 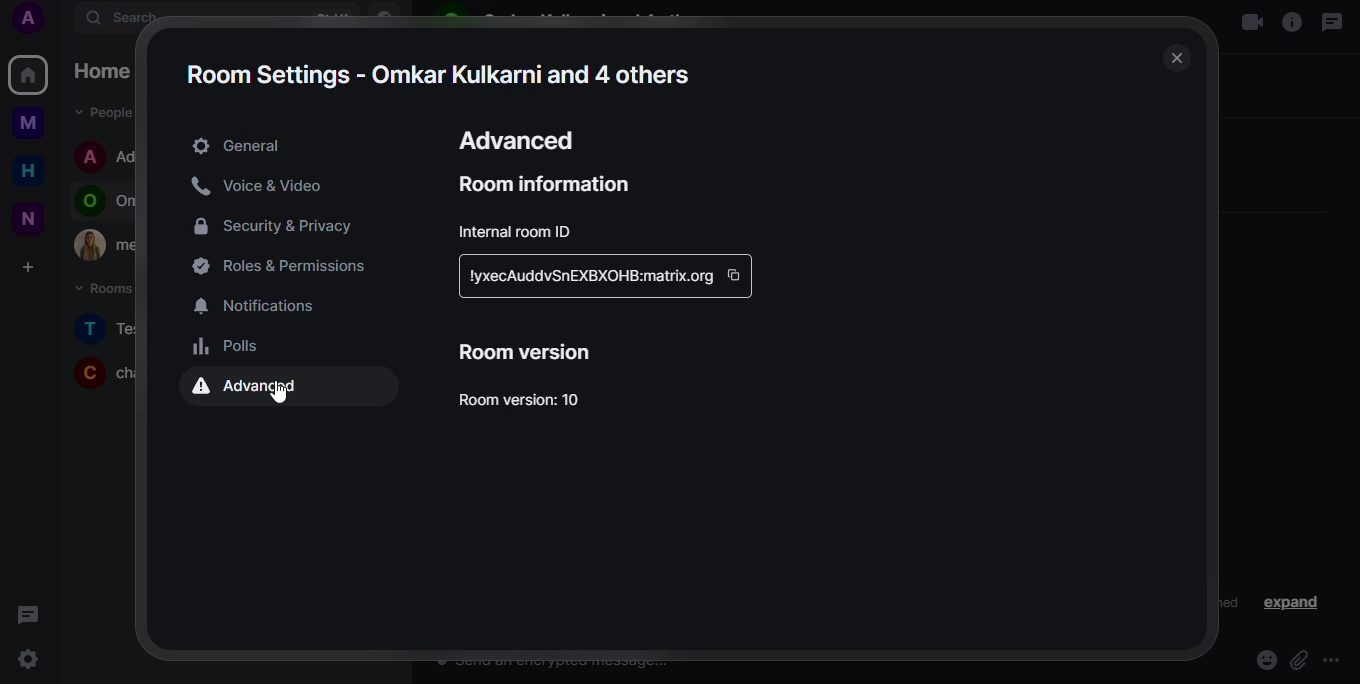 I want to click on general, so click(x=241, y=146).